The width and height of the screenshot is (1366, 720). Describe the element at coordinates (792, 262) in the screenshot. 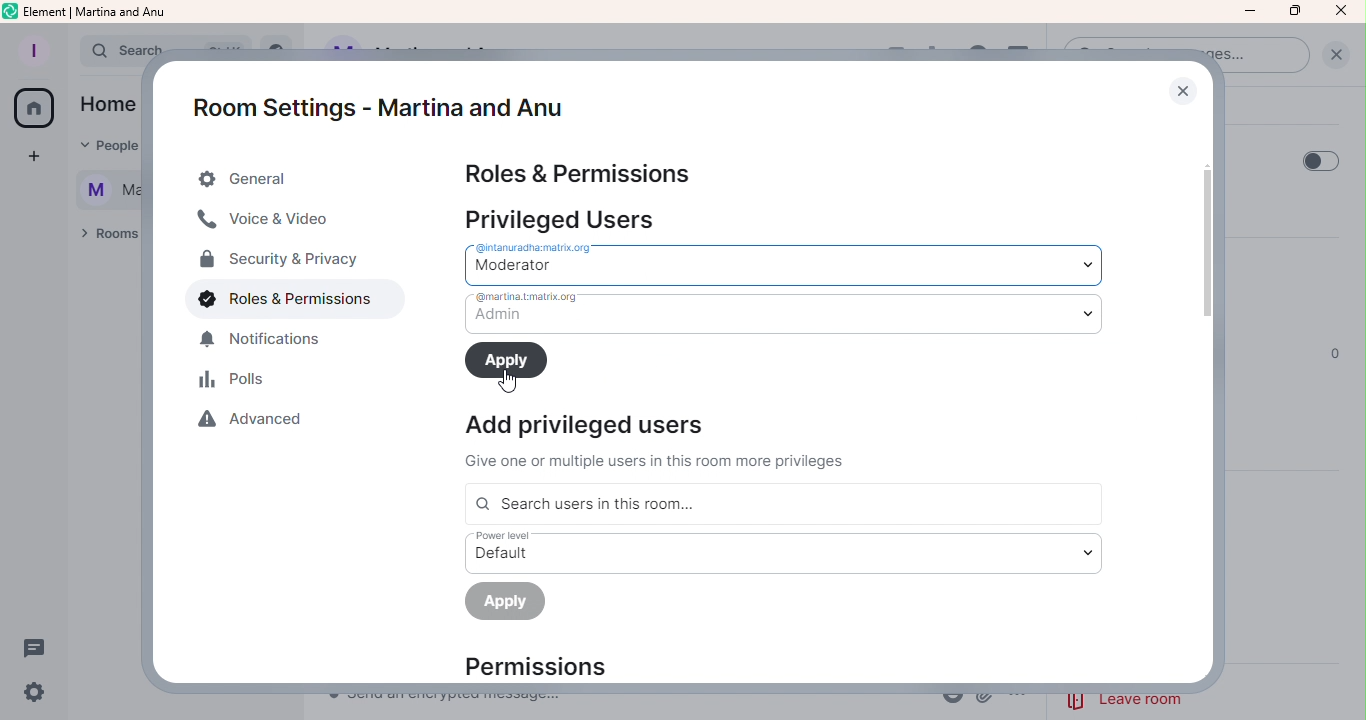

I see `Drop down menu` at that location.